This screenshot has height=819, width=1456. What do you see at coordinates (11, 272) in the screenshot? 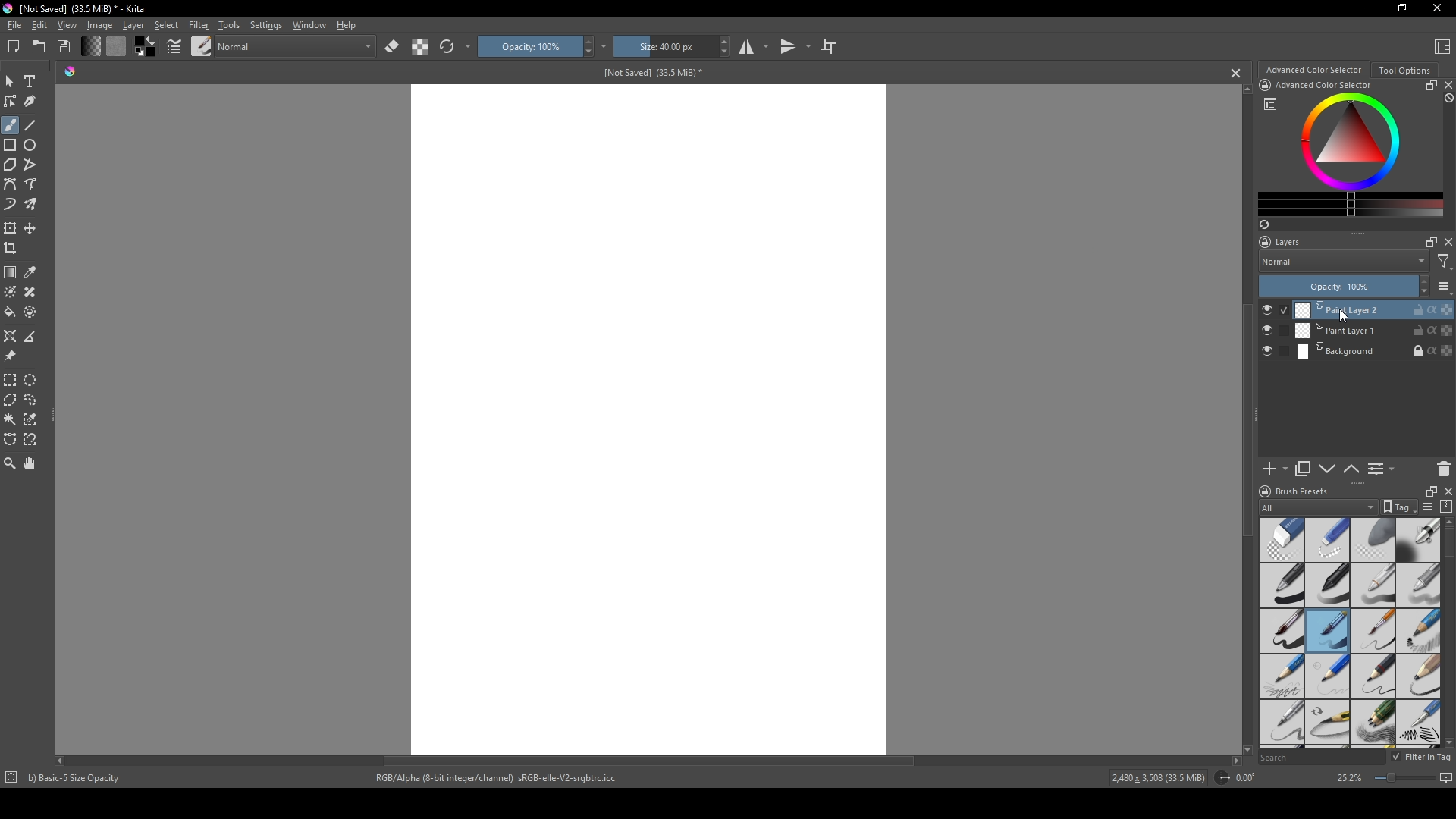
I see `gradient` at bounding box center [11, 272].